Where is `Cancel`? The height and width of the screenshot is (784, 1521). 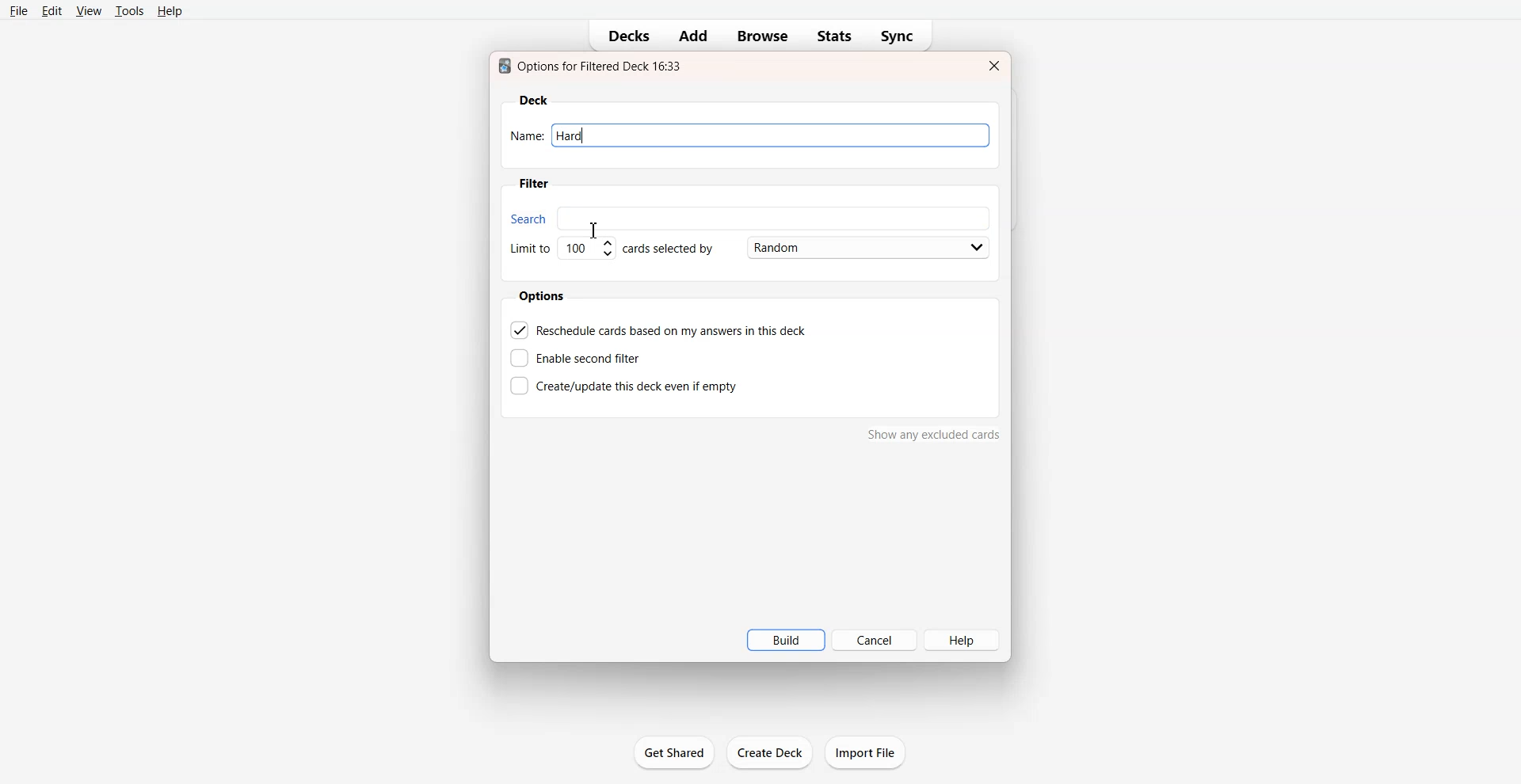 Cancel is located at coordinates (874, 640).